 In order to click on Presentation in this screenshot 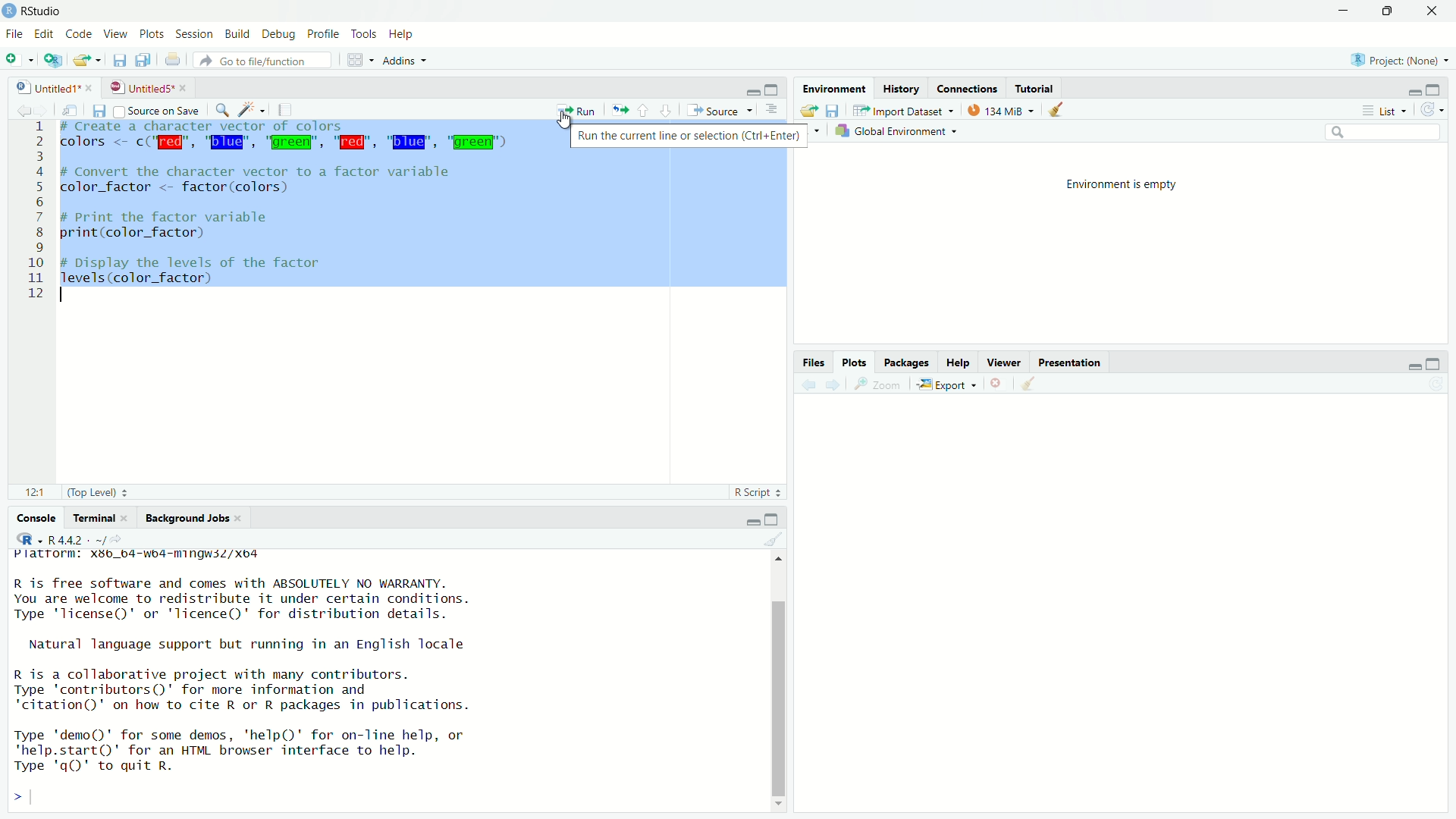, I will do `click(1071, 361)`.